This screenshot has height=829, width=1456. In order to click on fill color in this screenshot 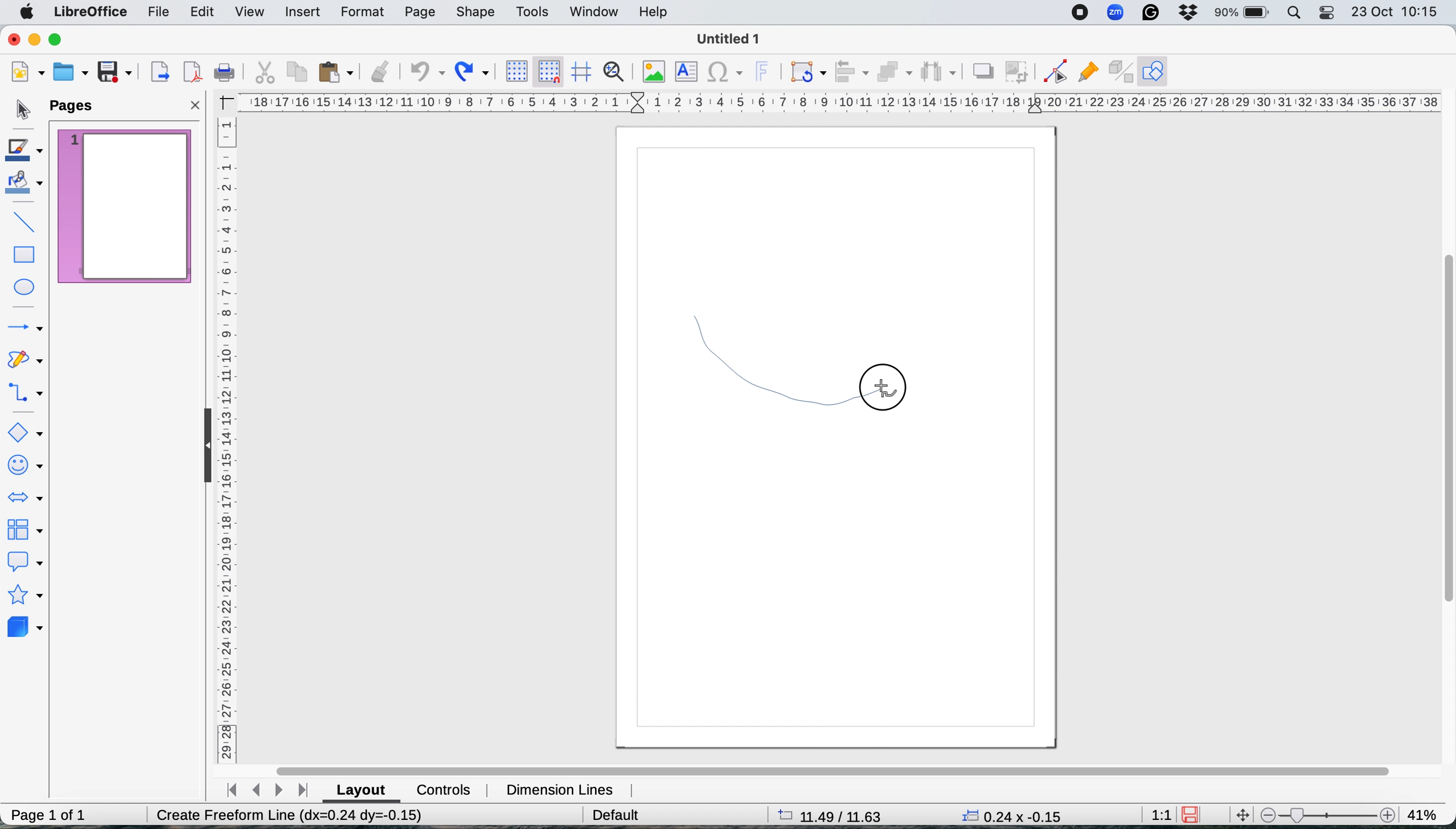, I will do `click(26, 186)`.